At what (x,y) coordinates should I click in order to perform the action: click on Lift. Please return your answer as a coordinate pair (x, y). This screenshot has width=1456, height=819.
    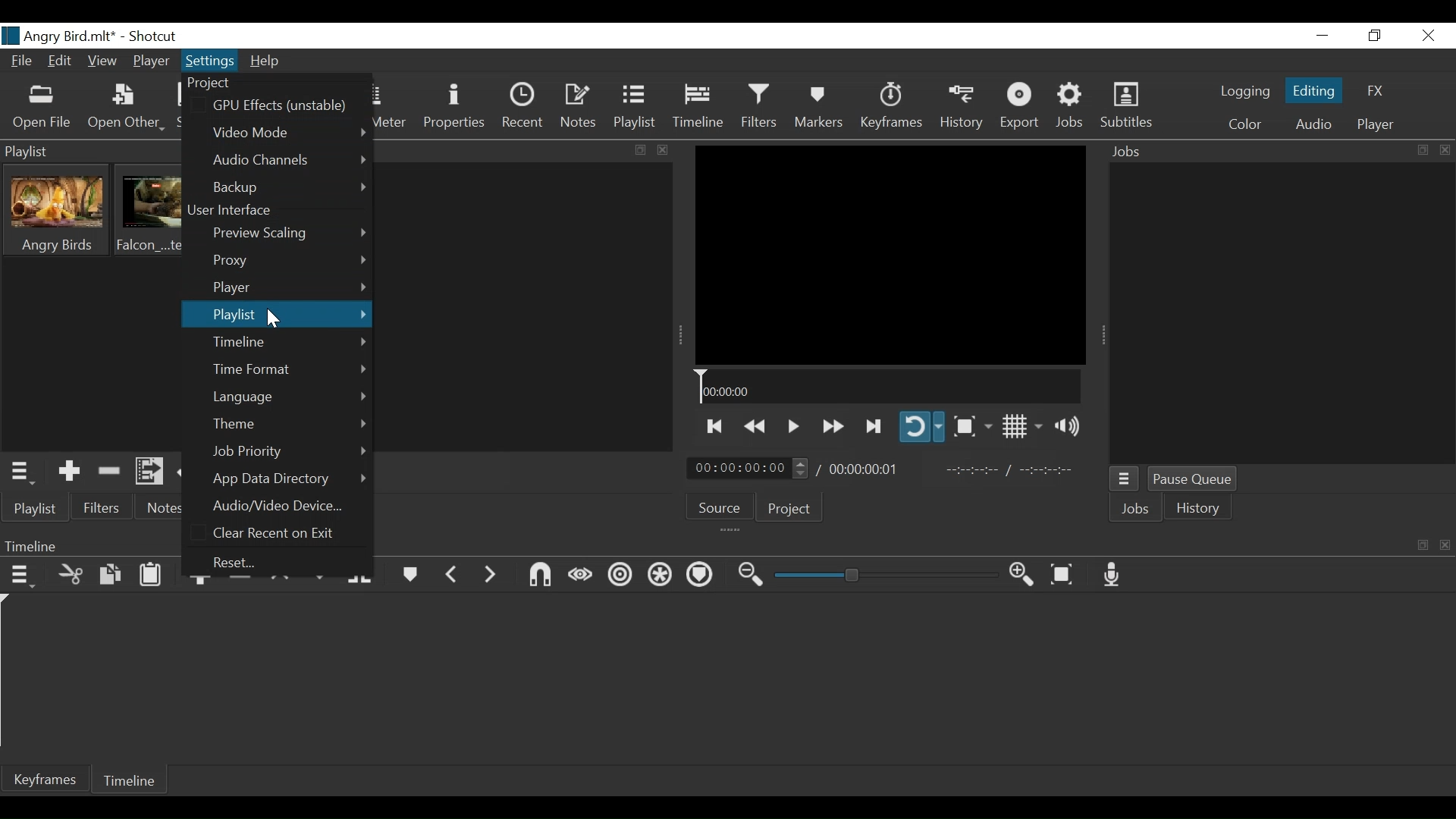
    Looking at the image, I should click on (283, 583).